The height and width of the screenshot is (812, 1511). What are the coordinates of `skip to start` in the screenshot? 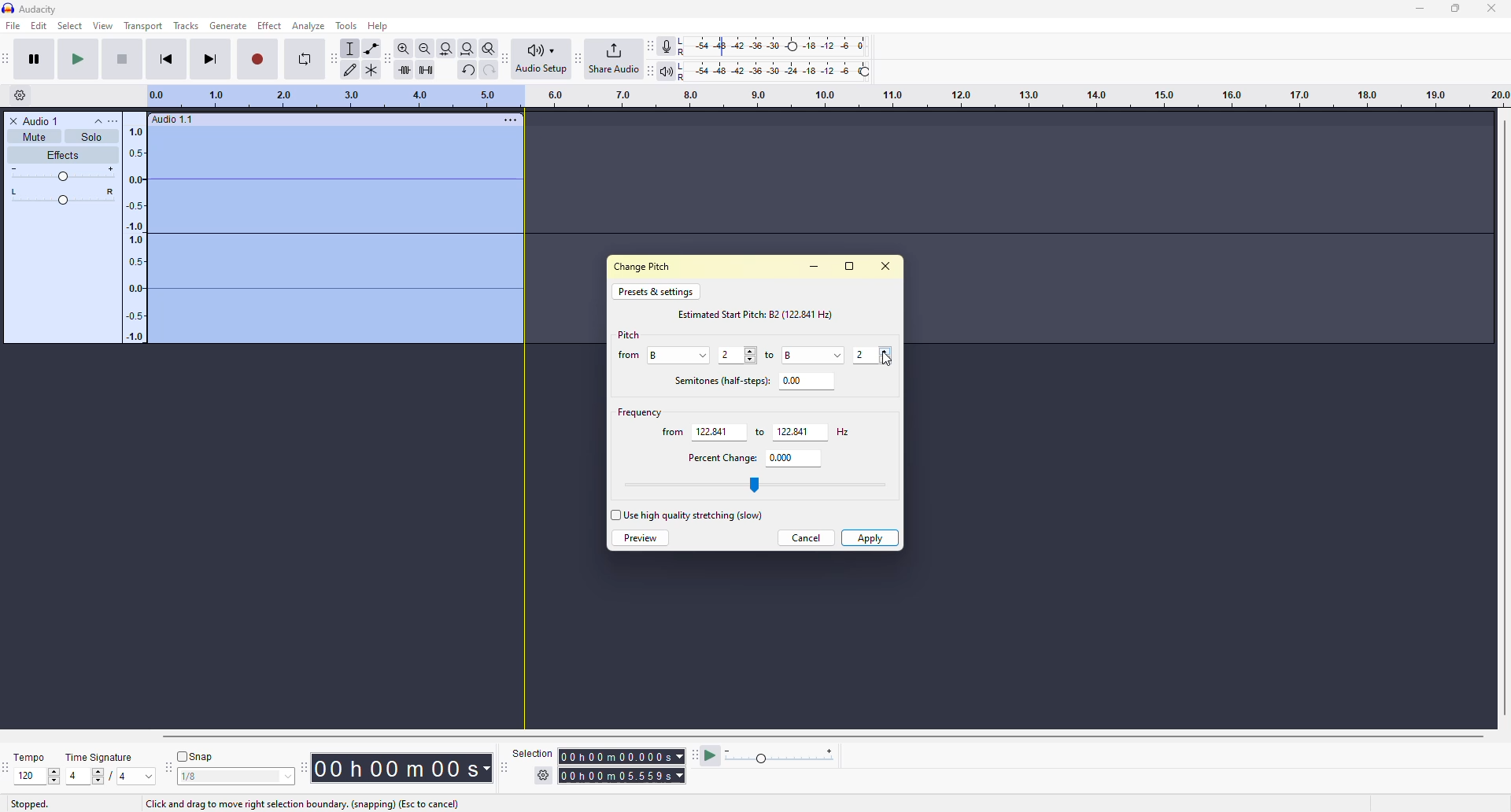 It's located at (166, 58).